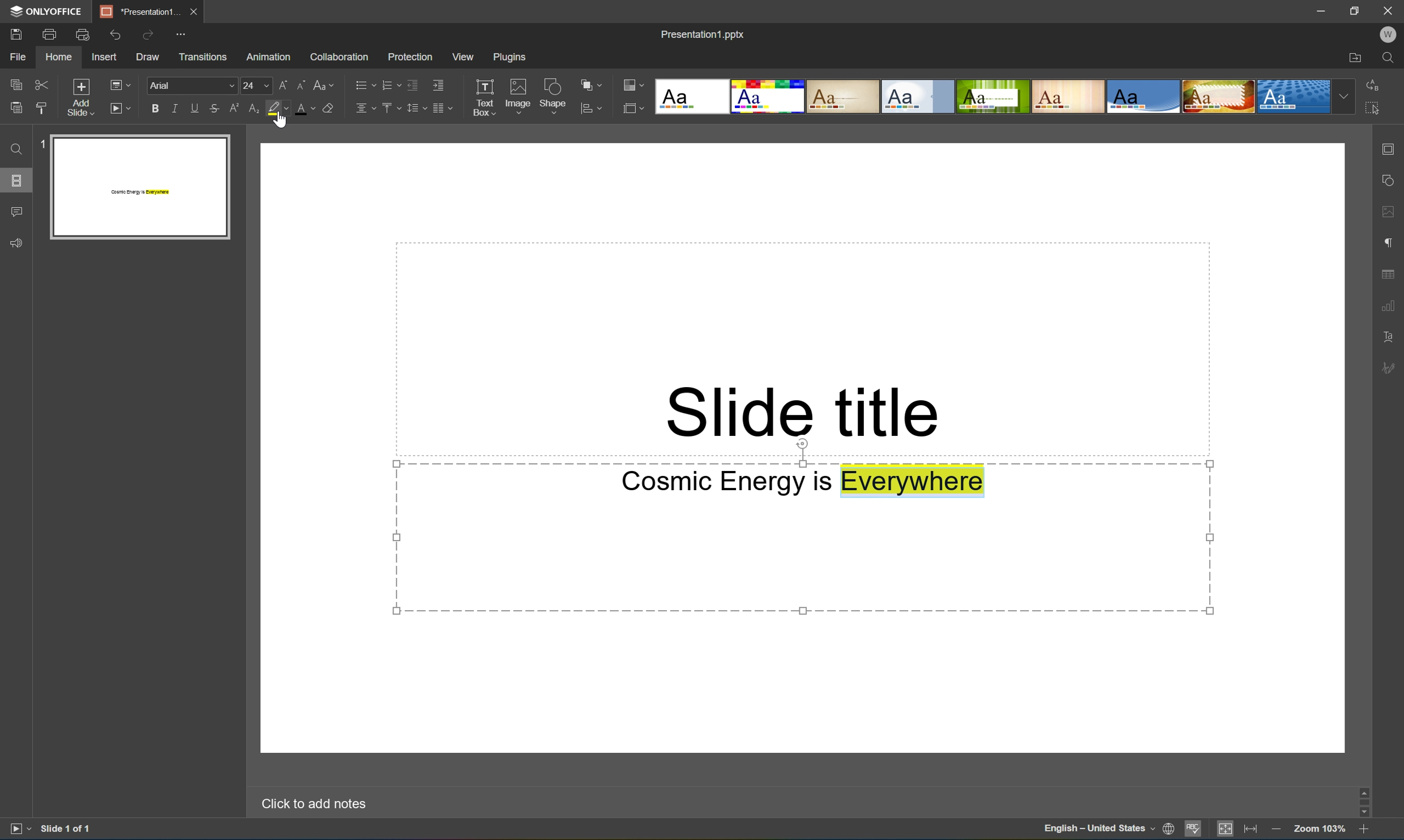 Image resolution: width=1404 pixels, height=840 pixels. I want to click on Spell checking, so click(1195, 831).